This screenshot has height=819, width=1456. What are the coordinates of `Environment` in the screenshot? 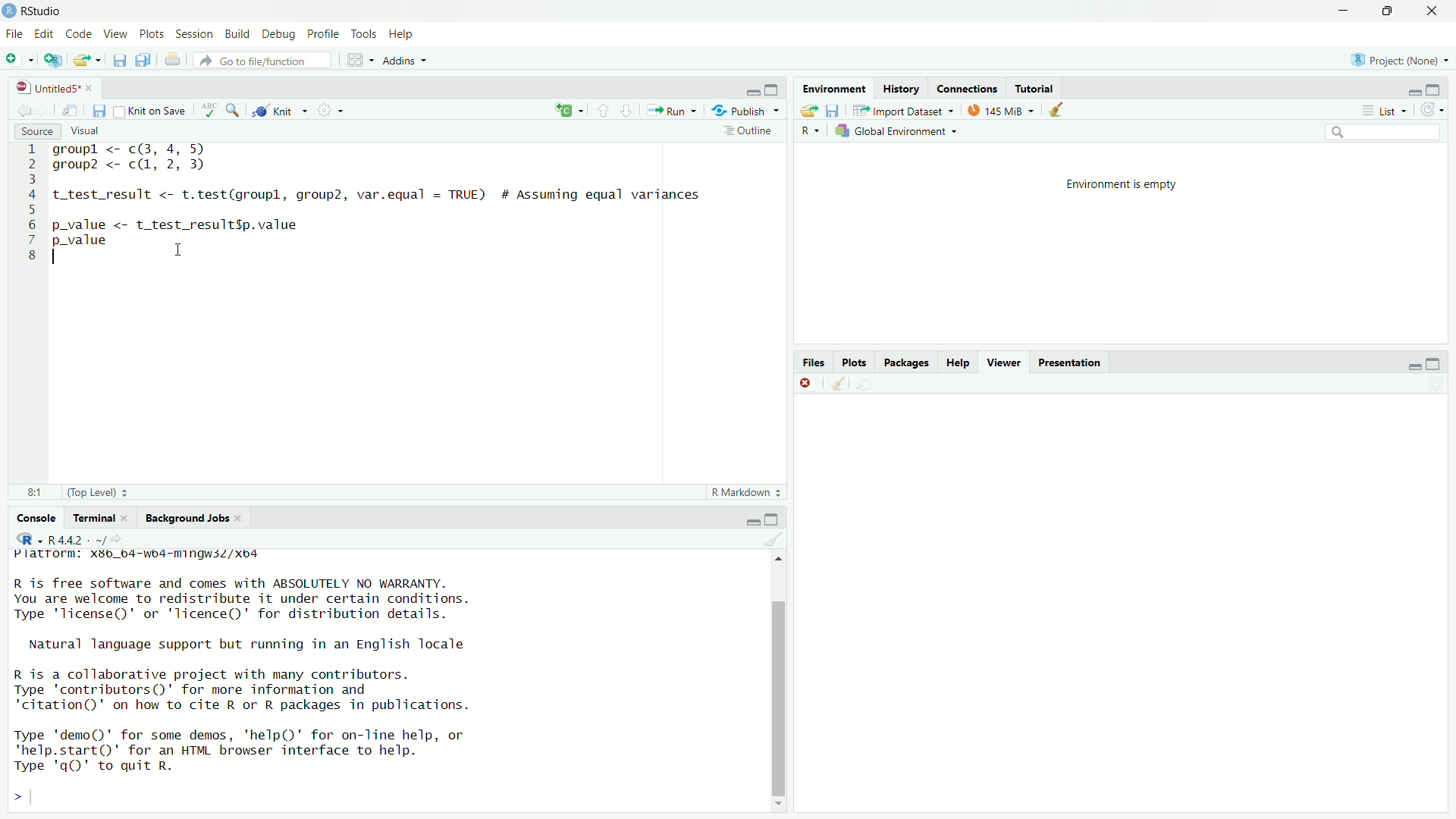 It's located at (831, 87).